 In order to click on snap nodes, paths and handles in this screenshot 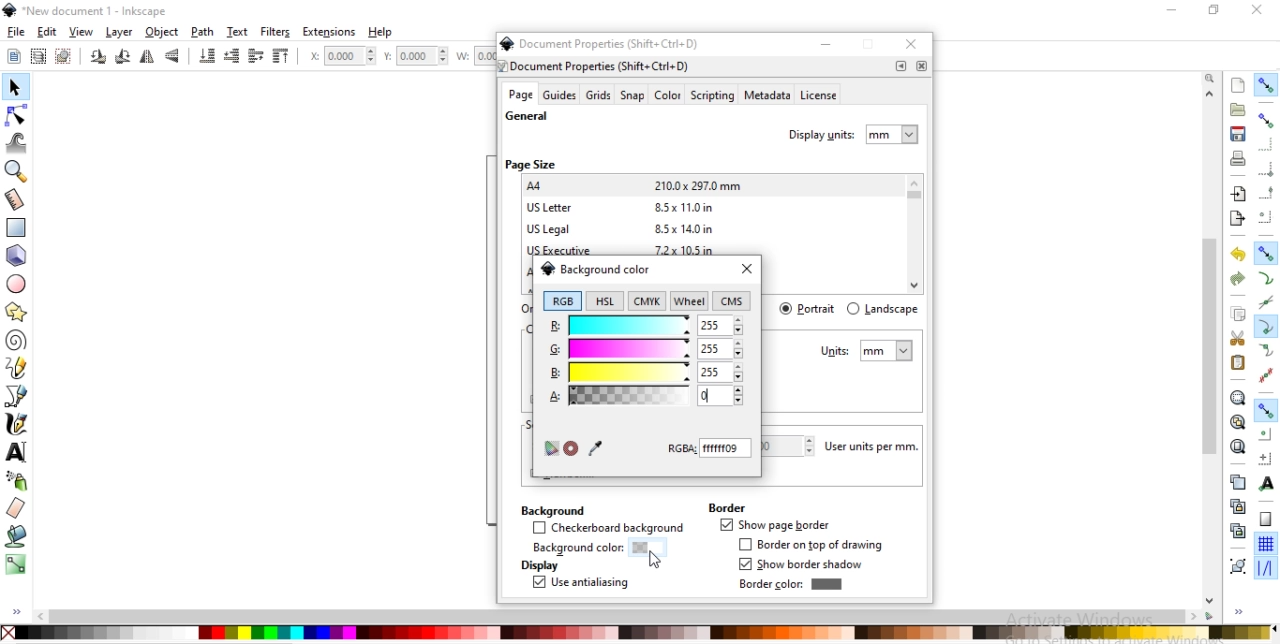, I will do `click(1266, 253)`.